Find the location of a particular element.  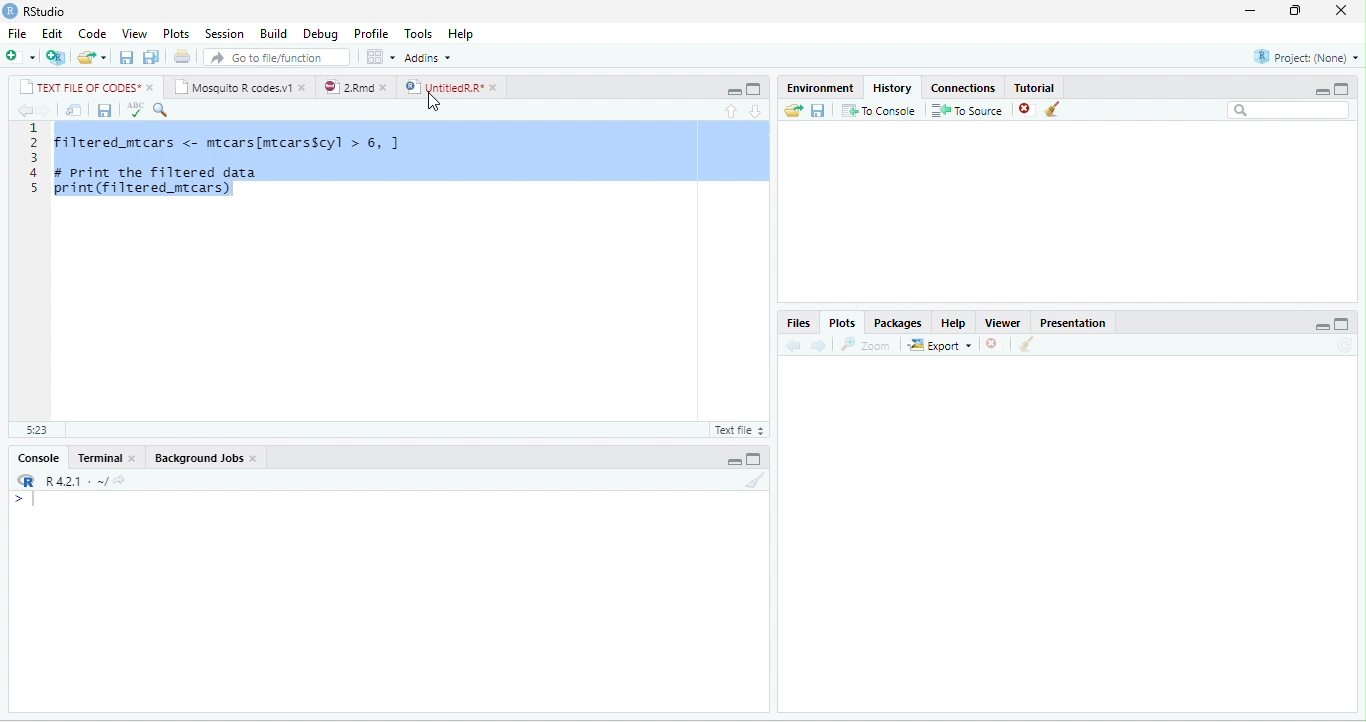

forward is located at coordinates (818, 346).